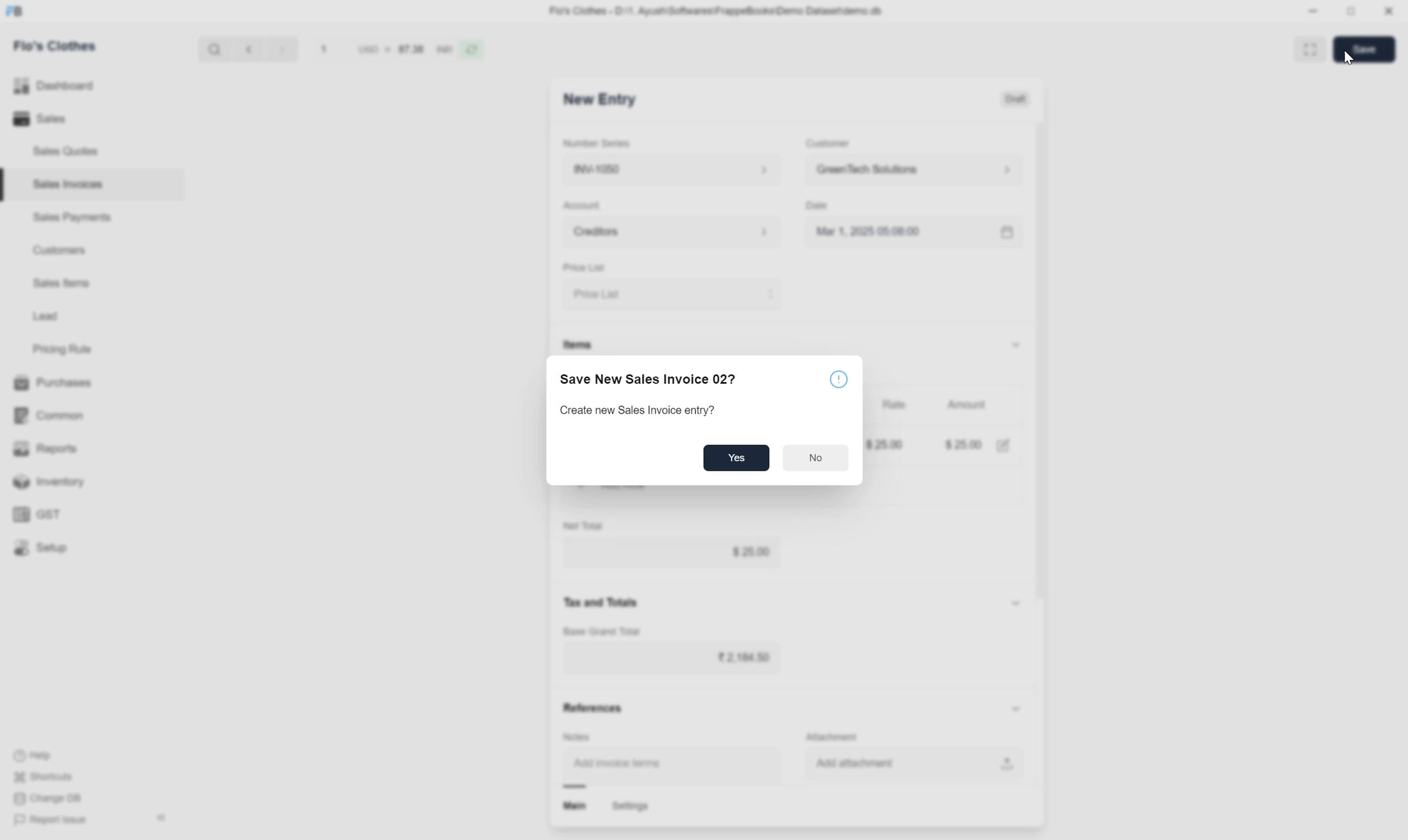 This screenshot has width=1408, height=840. I want to click on Setup, so click(82, 551).